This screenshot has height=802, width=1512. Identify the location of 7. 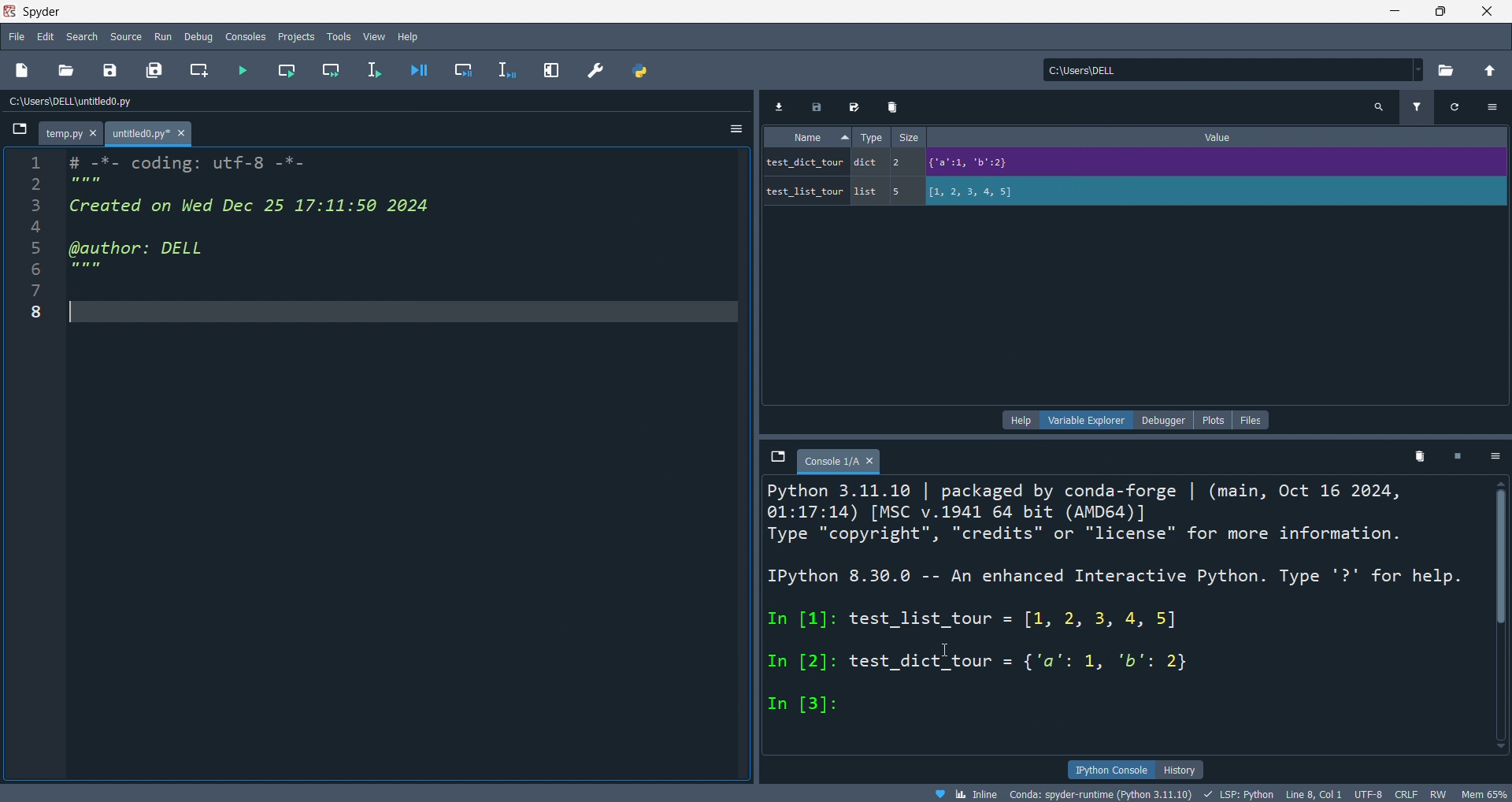
(46, 287).